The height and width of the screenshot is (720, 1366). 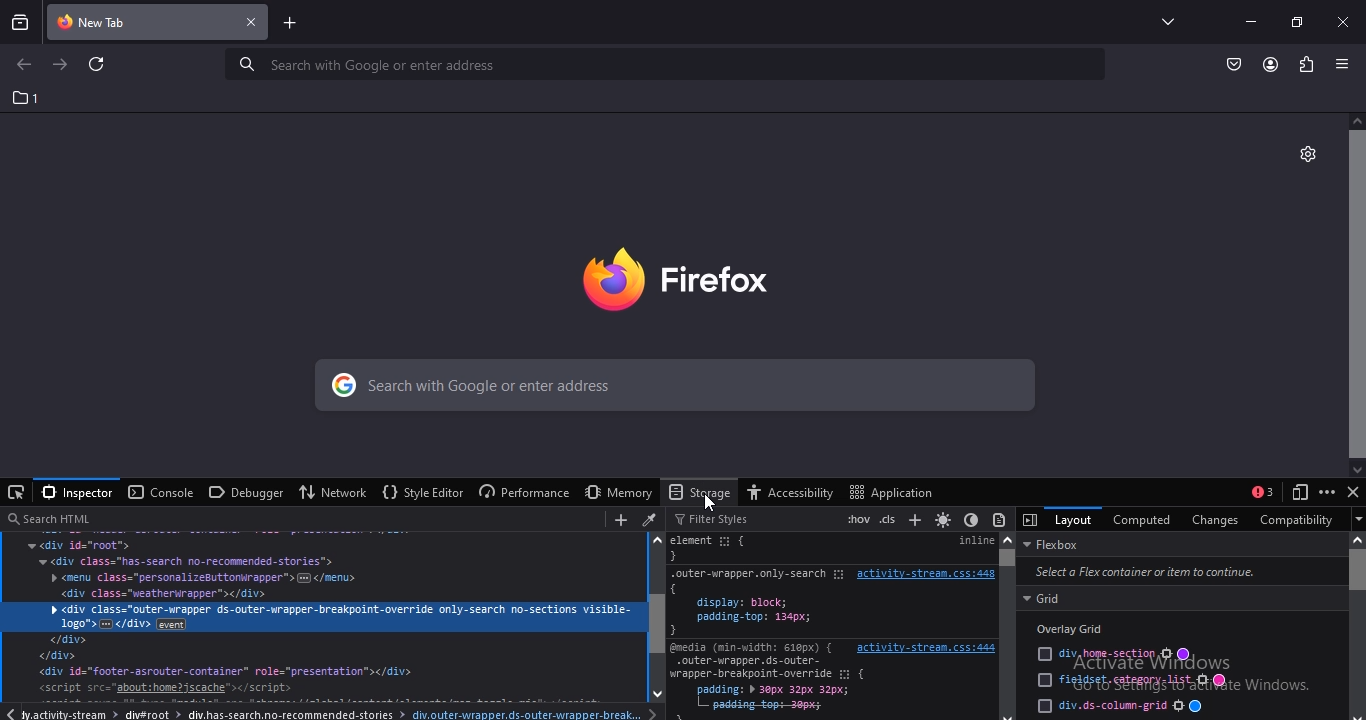 I want to click on debugger, so click(x=243, y=494).